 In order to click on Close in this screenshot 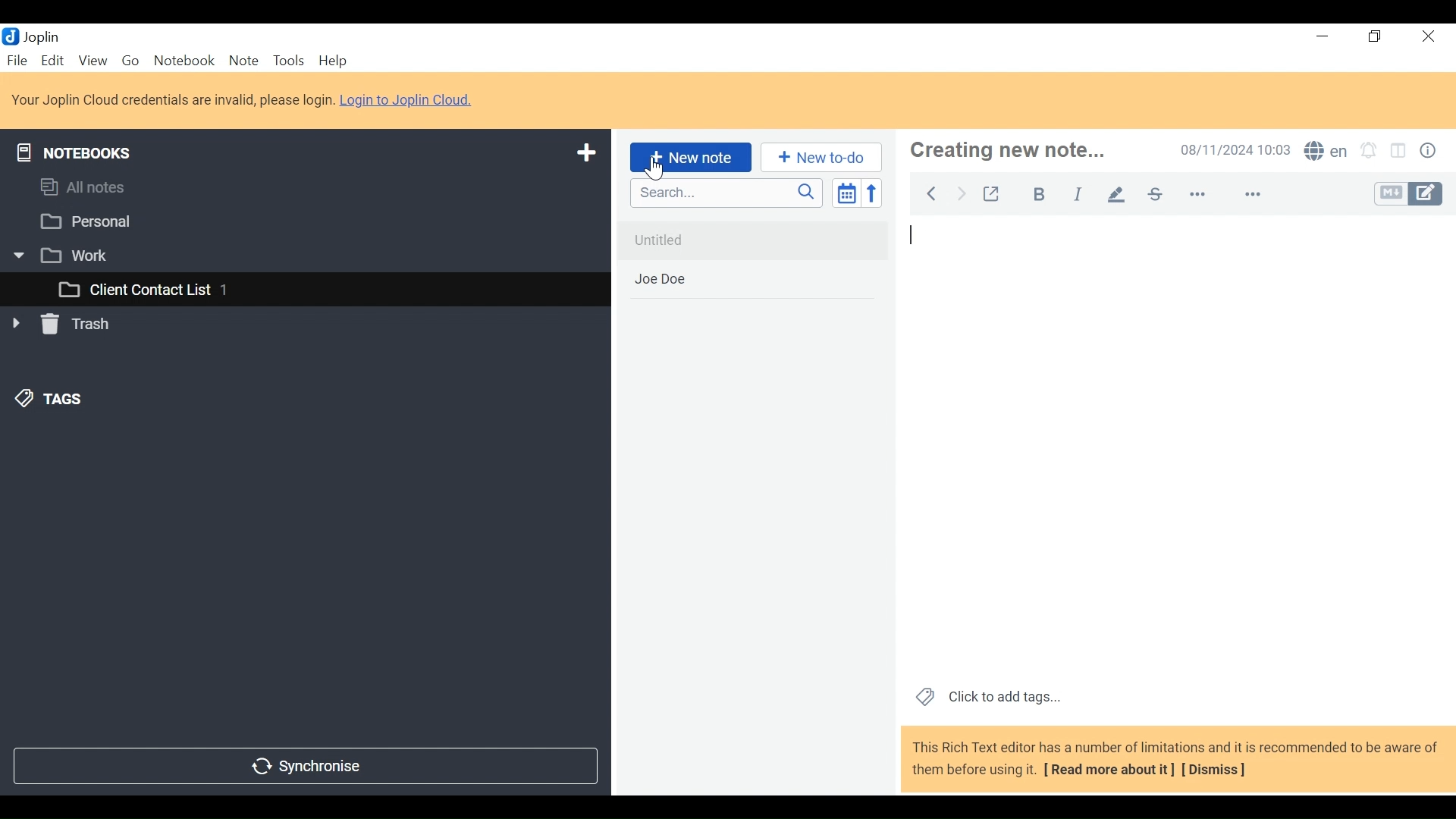, I will do `click(1431, 36)`.